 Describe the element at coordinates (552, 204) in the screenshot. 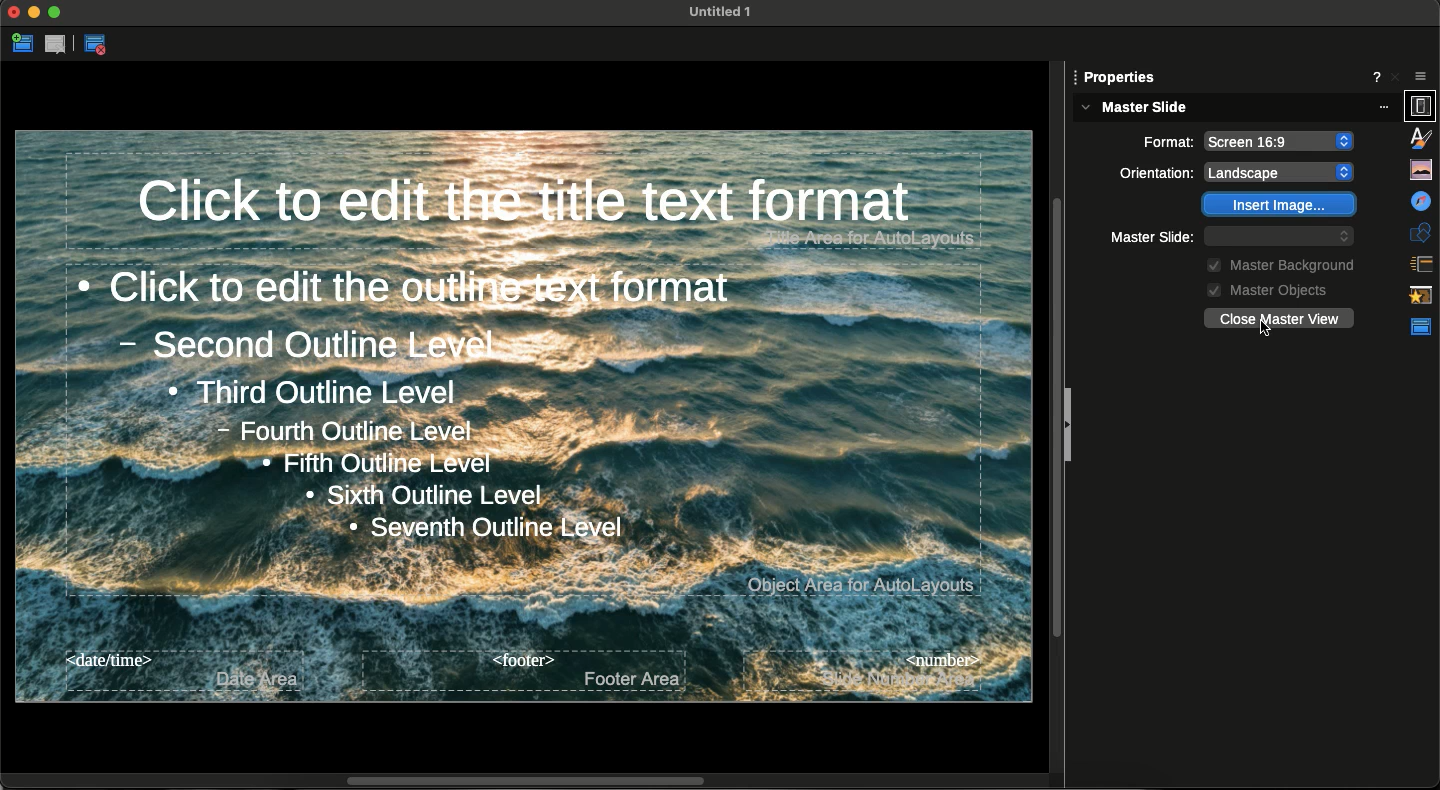

I see `Master title` at that location.